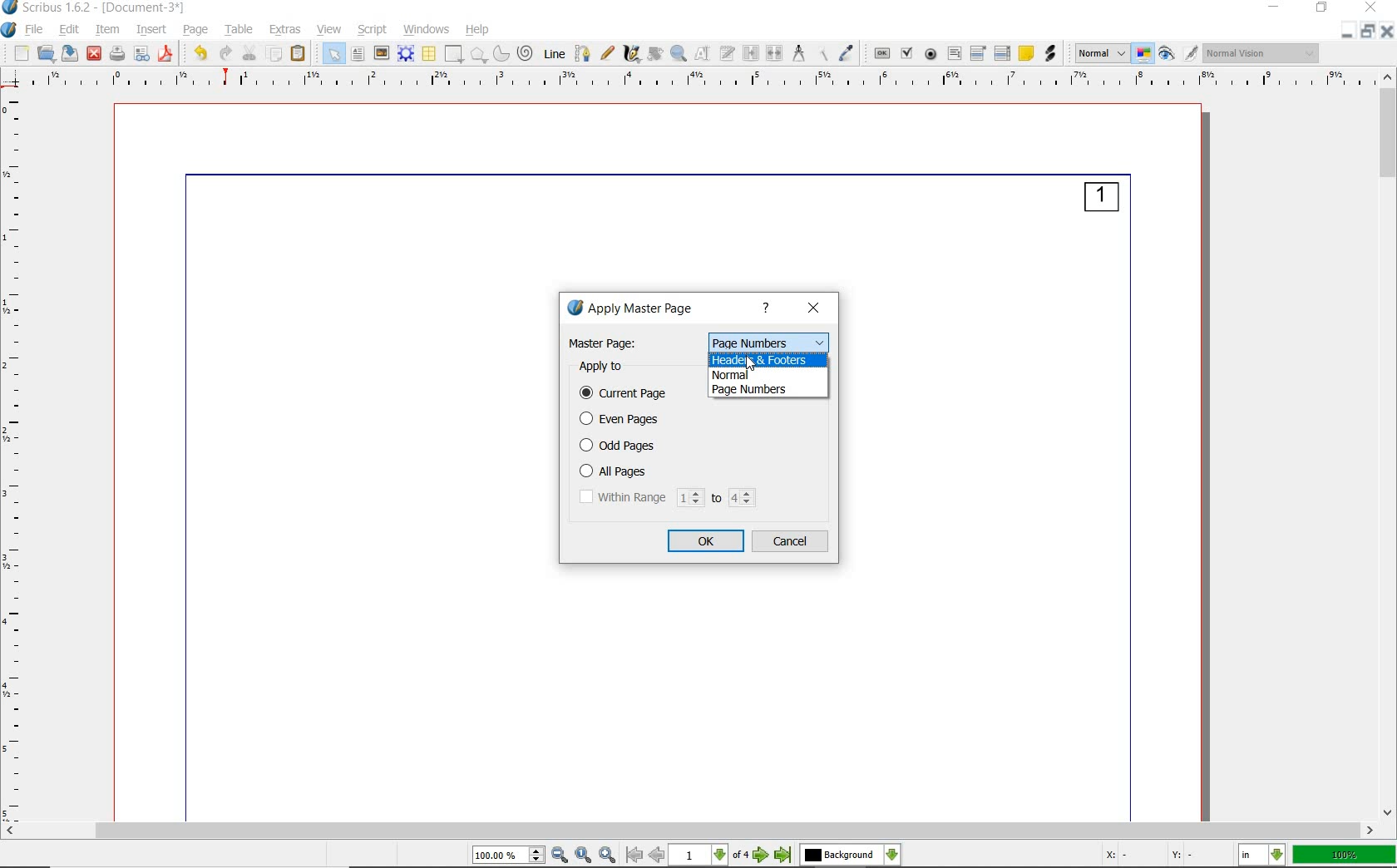 Image resolution: width=1397 pixels, height=868 pixels. What do you see at coordinates (1389, 31) in the screenshot?
I see `close` at bounding box center [1389, 31].